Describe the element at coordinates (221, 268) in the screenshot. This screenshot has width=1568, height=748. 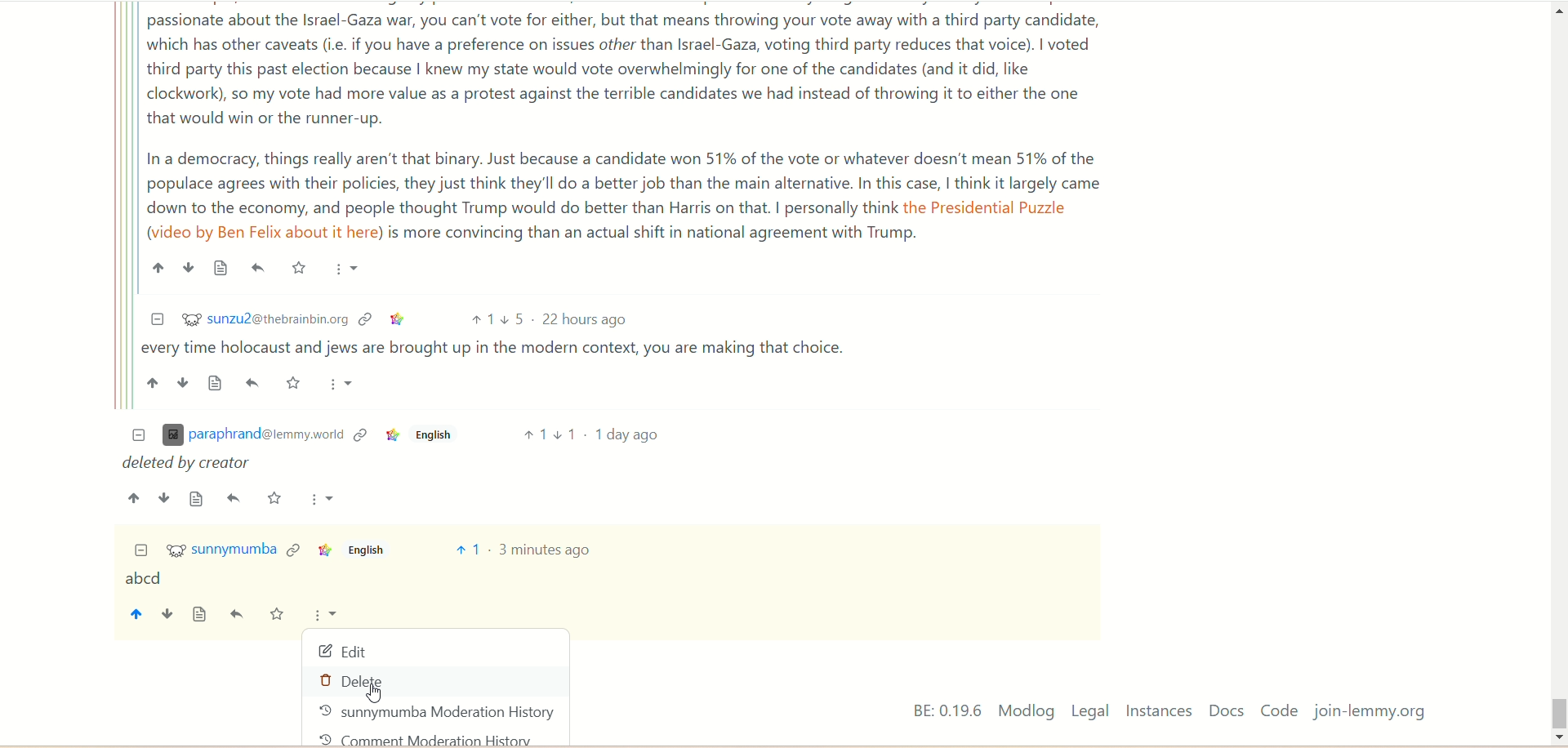
I see `Source` at that location.